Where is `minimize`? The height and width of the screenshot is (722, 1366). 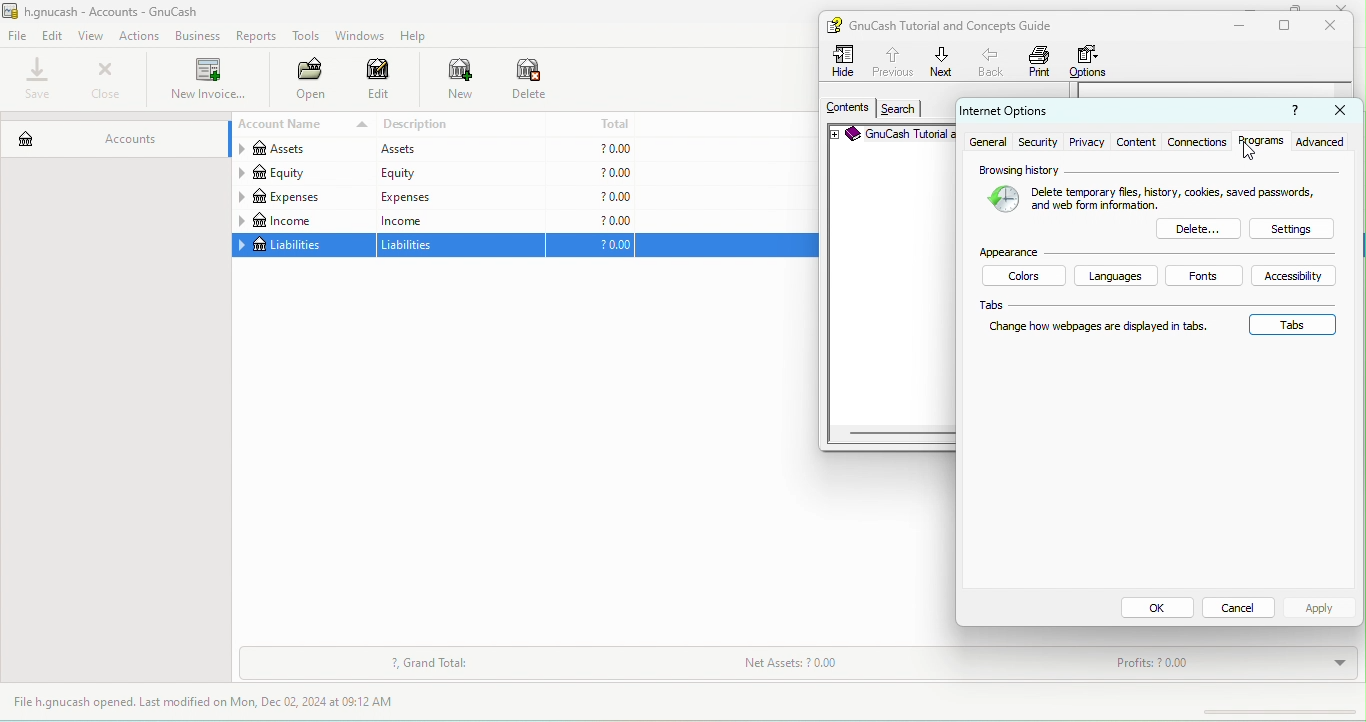
minimize is located at coordinates (1235, 26).